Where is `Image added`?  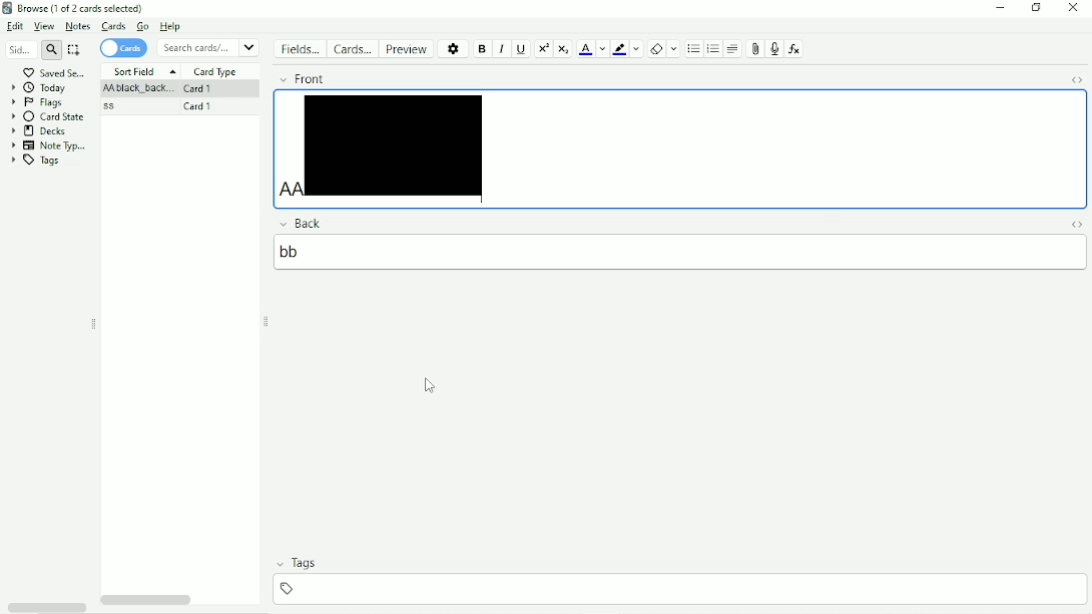
Image added is located at coordinates (394, 143).